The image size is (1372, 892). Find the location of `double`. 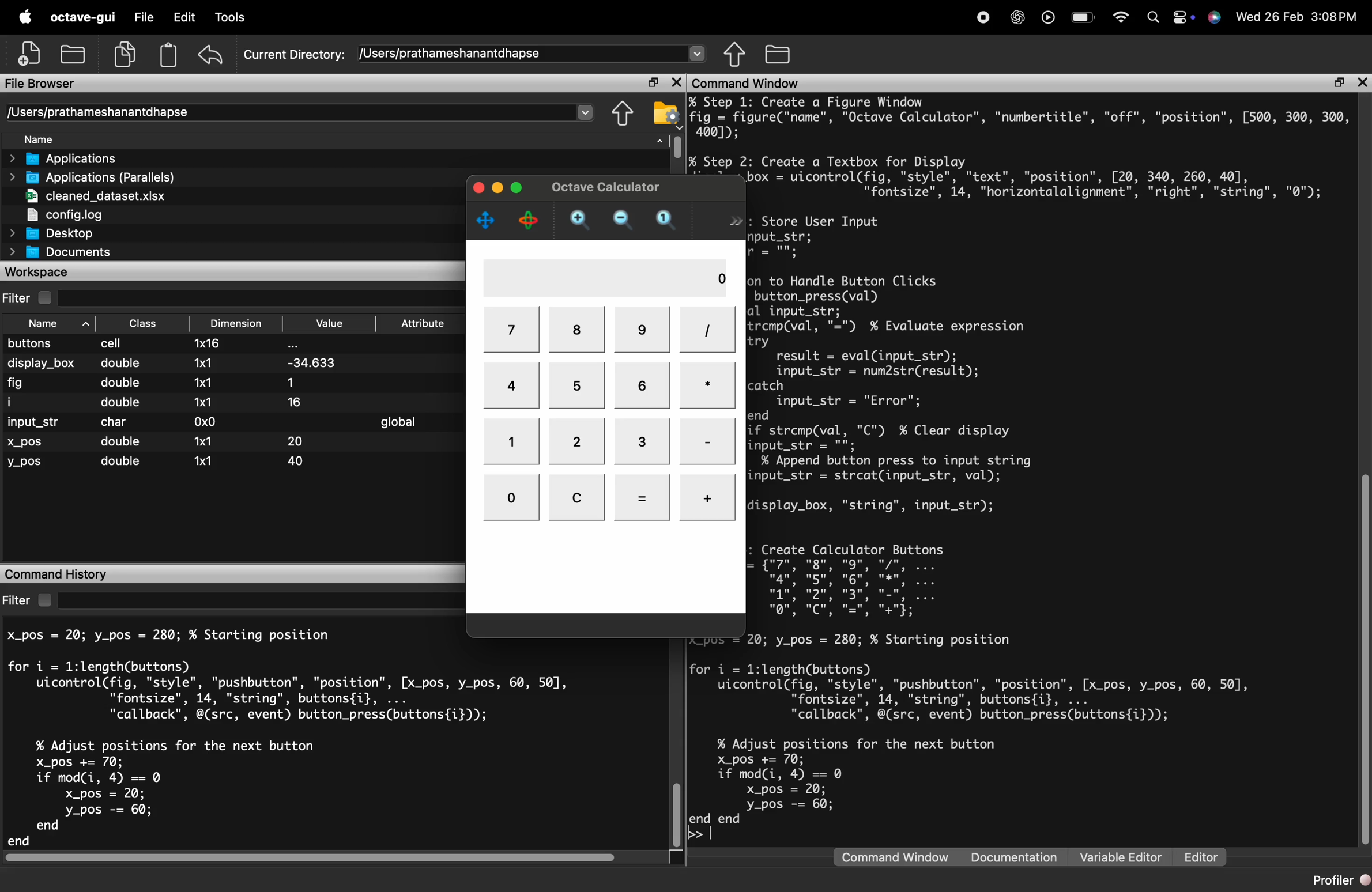

double is located at coordinates (118, 364).